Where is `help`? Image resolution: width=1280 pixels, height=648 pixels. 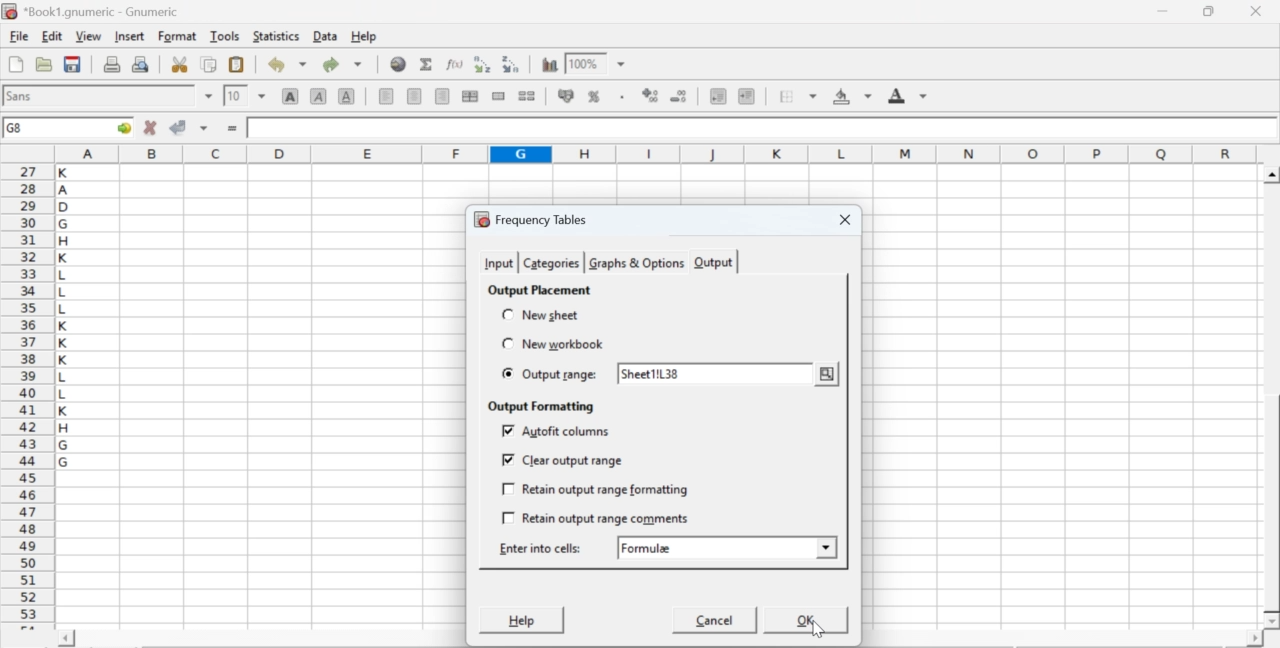
help is located at coordinates (366, 37).